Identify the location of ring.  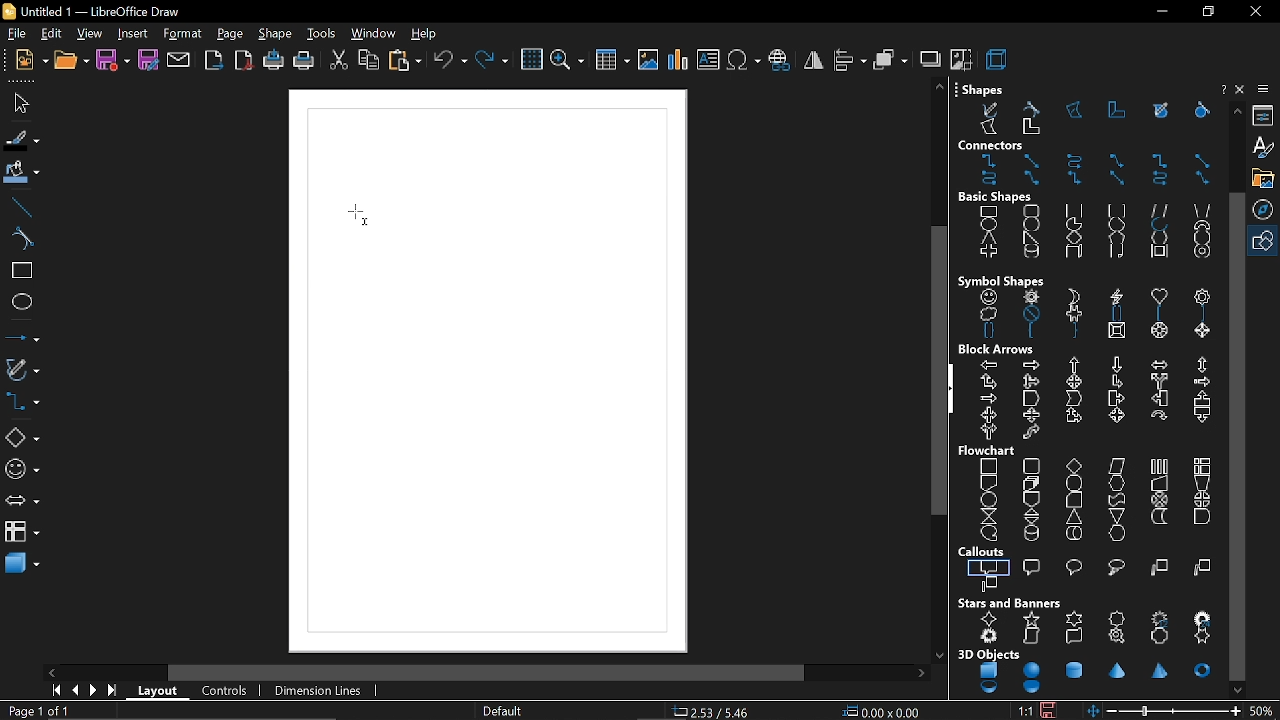
(1202, 254).